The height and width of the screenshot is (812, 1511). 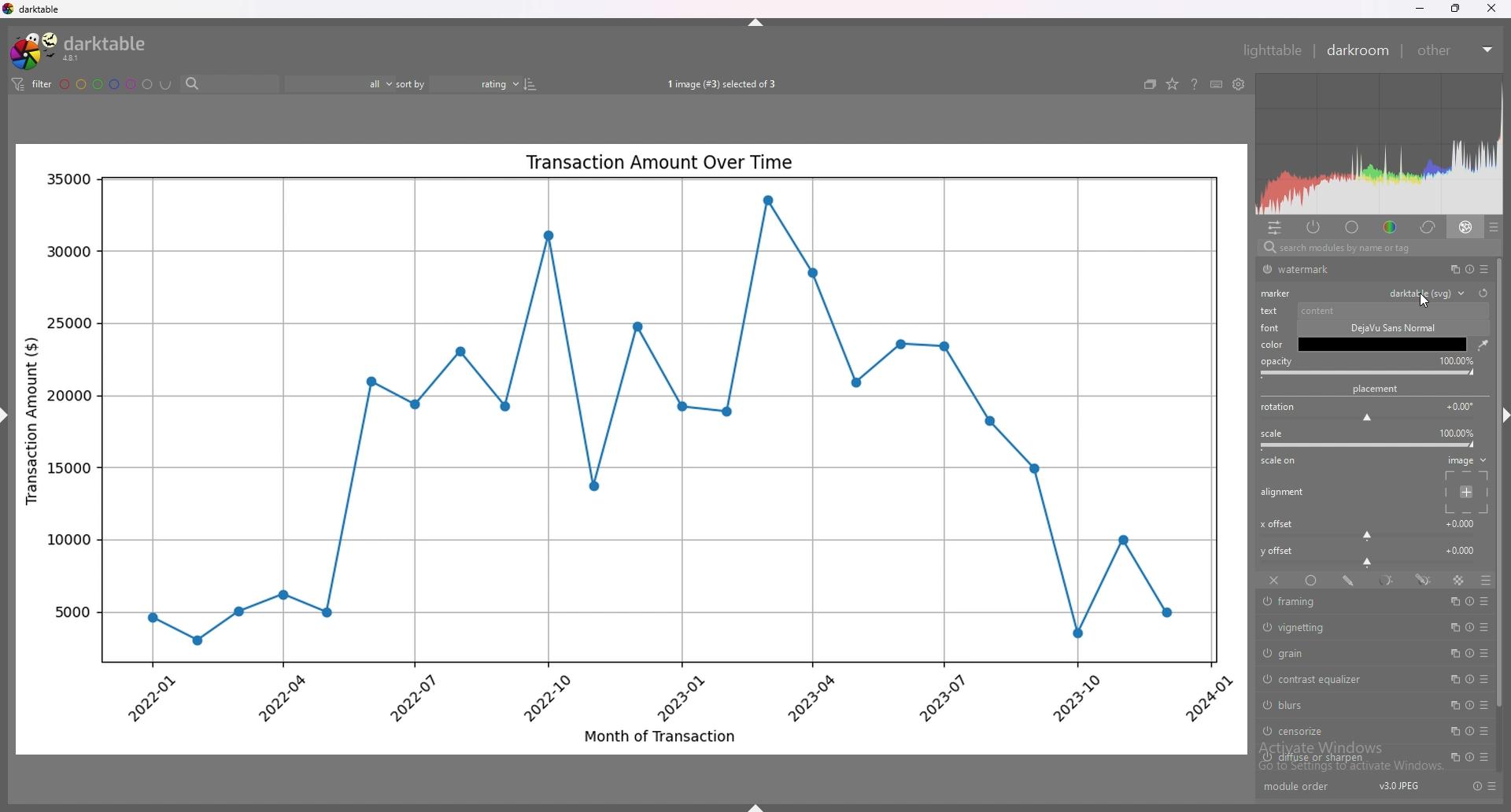 I want to click on switch off, so click(x=1267, y=627).